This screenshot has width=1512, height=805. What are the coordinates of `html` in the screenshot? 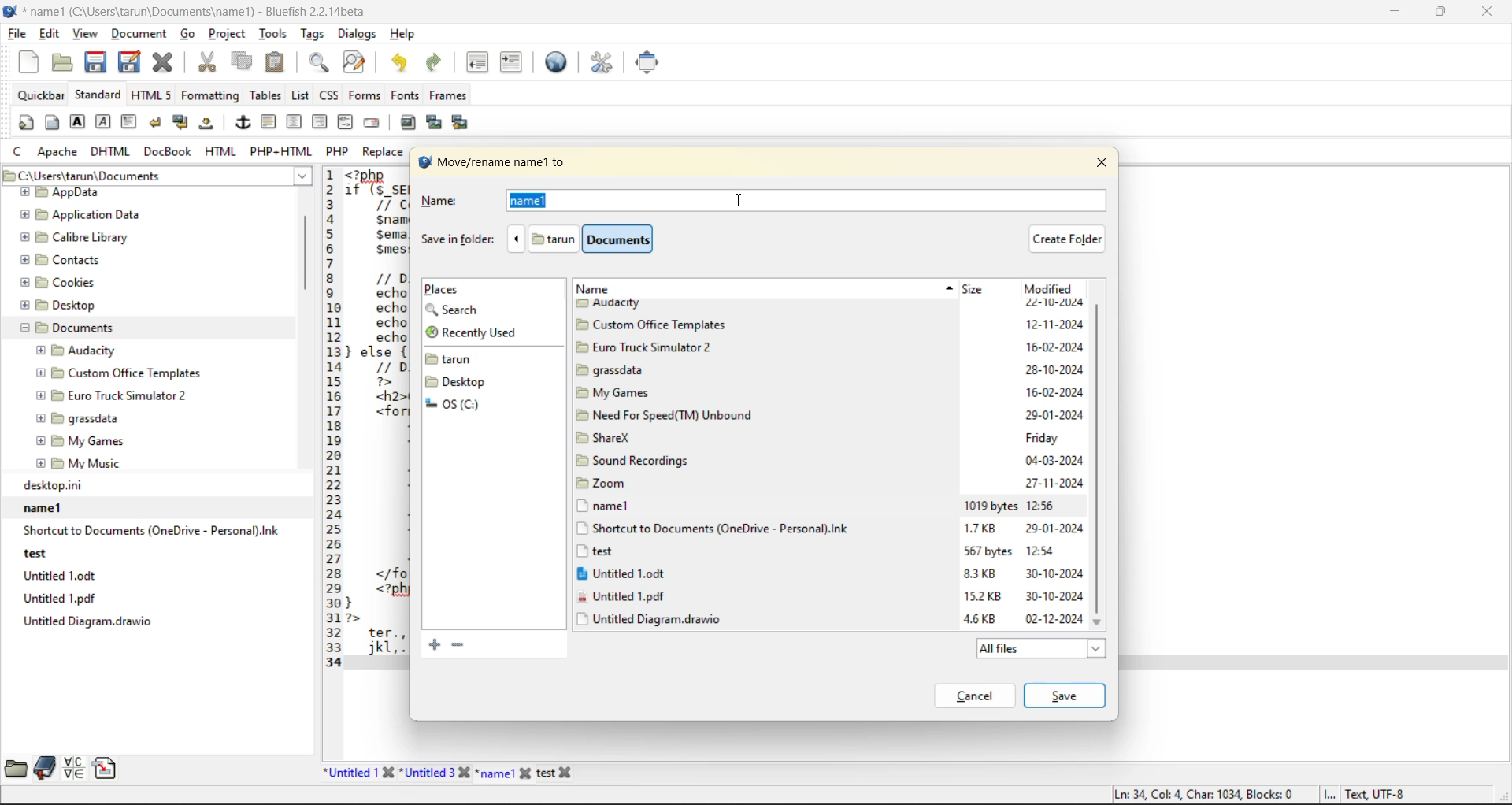 It's located at (220, 153).